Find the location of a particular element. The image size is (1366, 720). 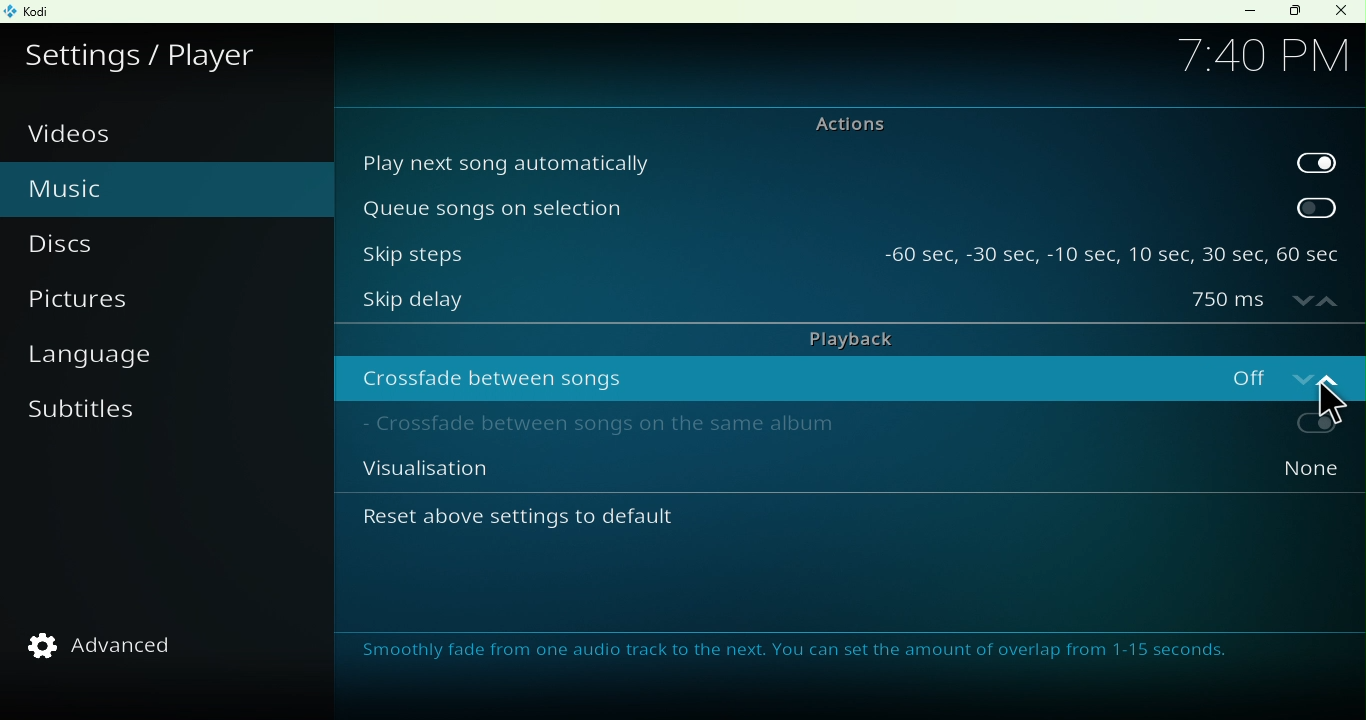

Videos is located at coordinates (83, 134).